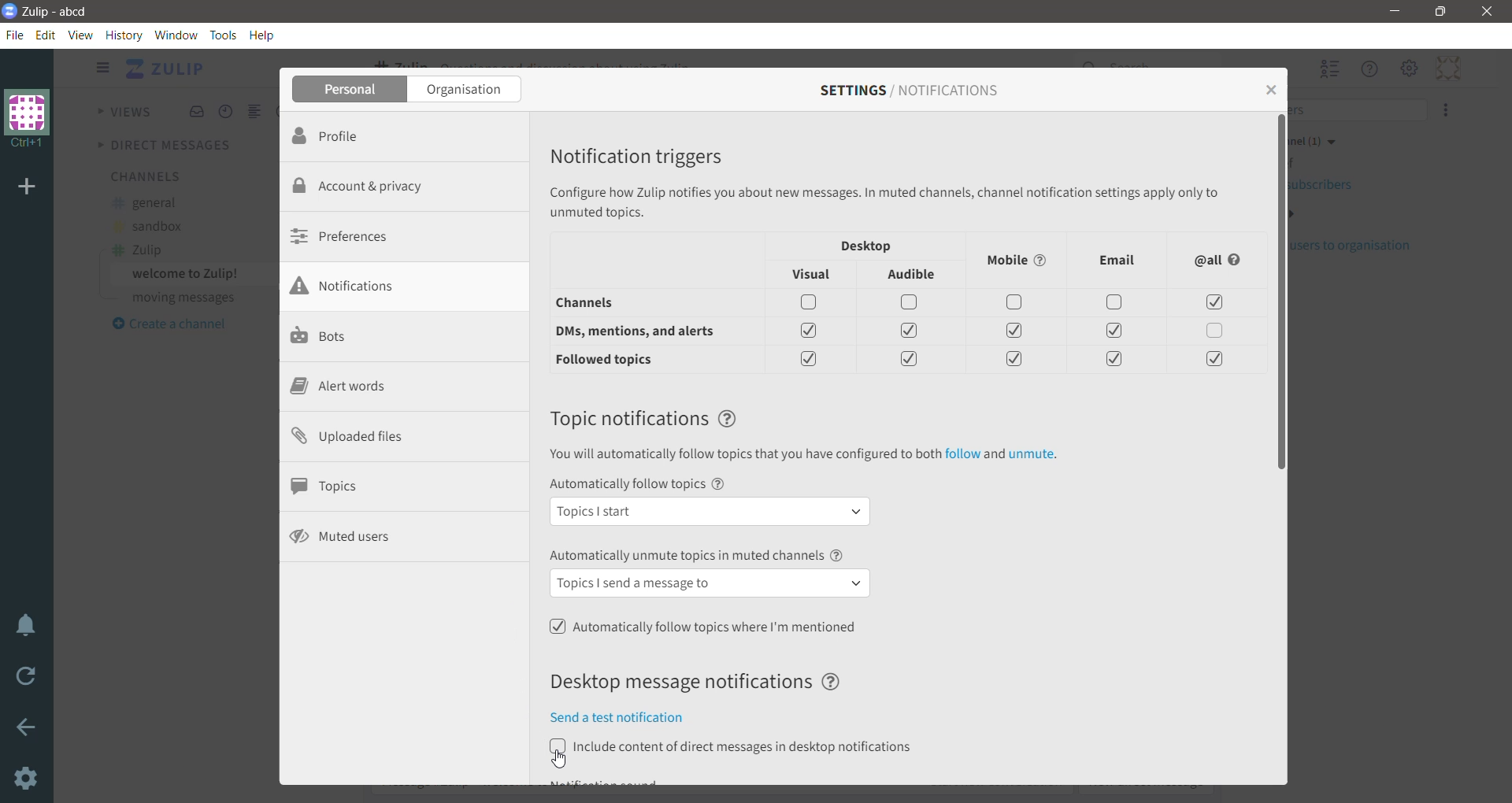 The width and height of the screenshot is (1512, 803). Describe the element at coordinates (1017, 305) in the screenshot. I see `check box` at that location.